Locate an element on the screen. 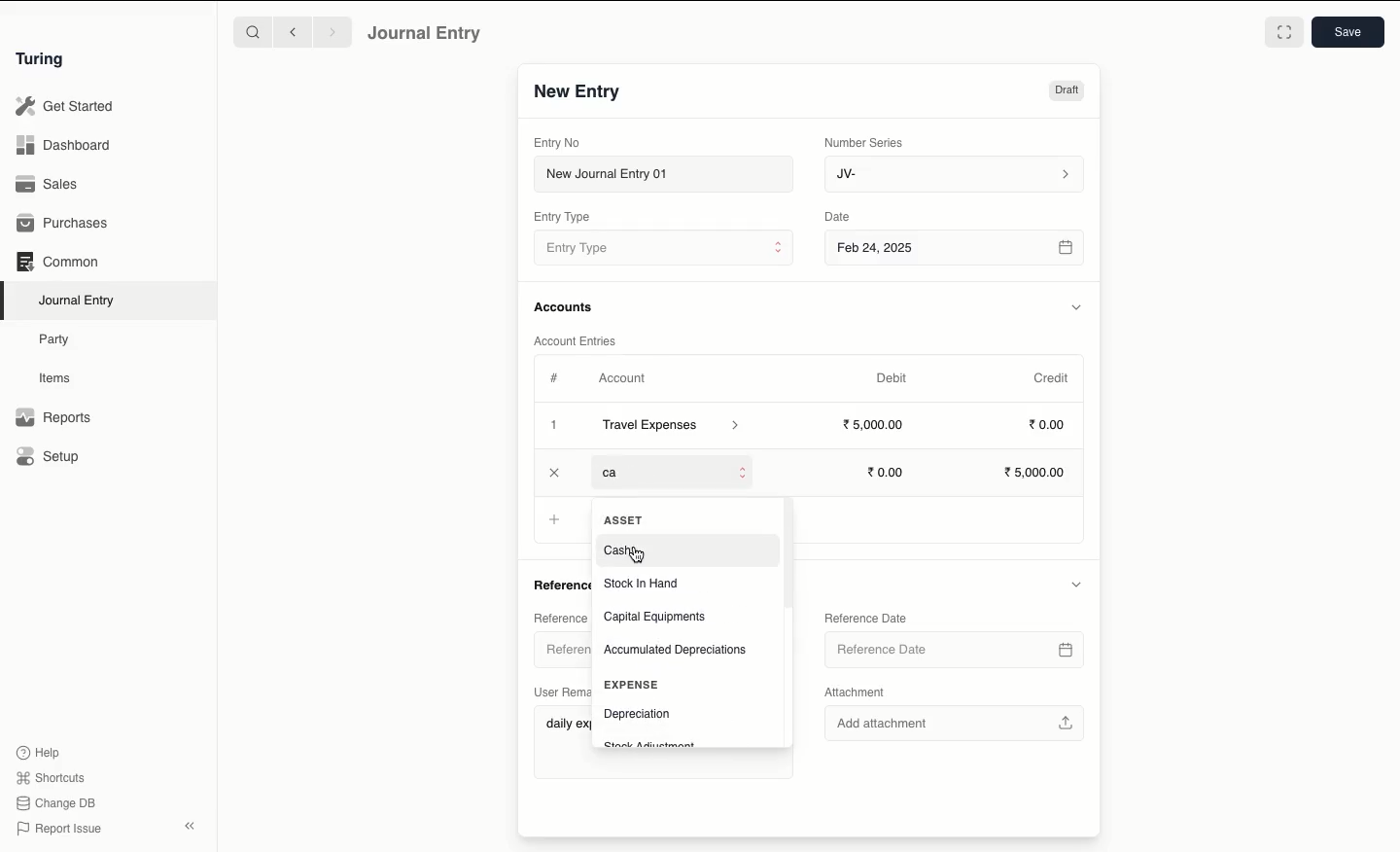 The height and width of the screenshot is (852, 1400). Setup is located at coordinates (49, 455).